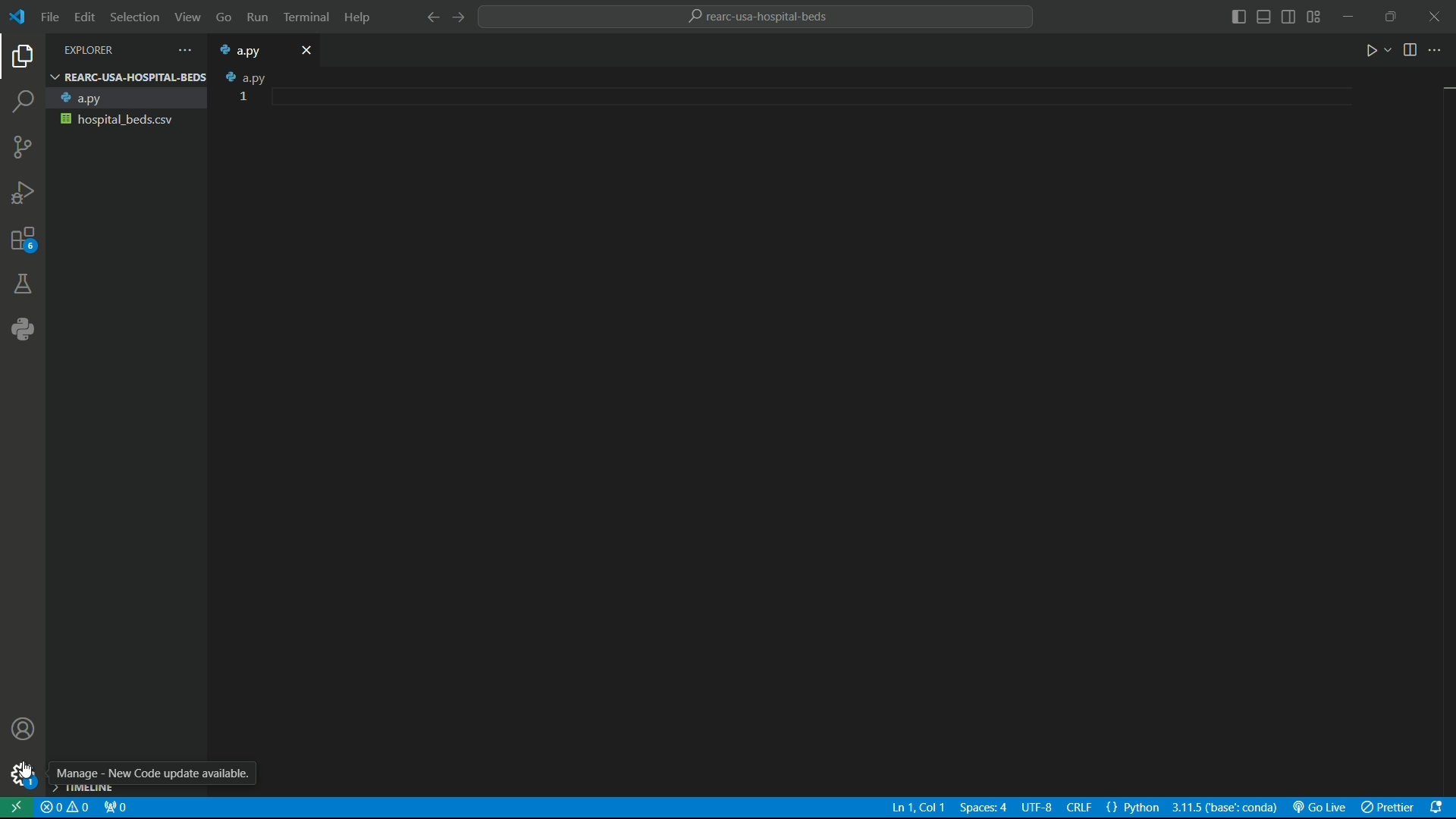 The image size is (1456, 819). What do you see at coordinates (20, 18) in the screenshot?
I see `logo` at bounding box center [20, 18].